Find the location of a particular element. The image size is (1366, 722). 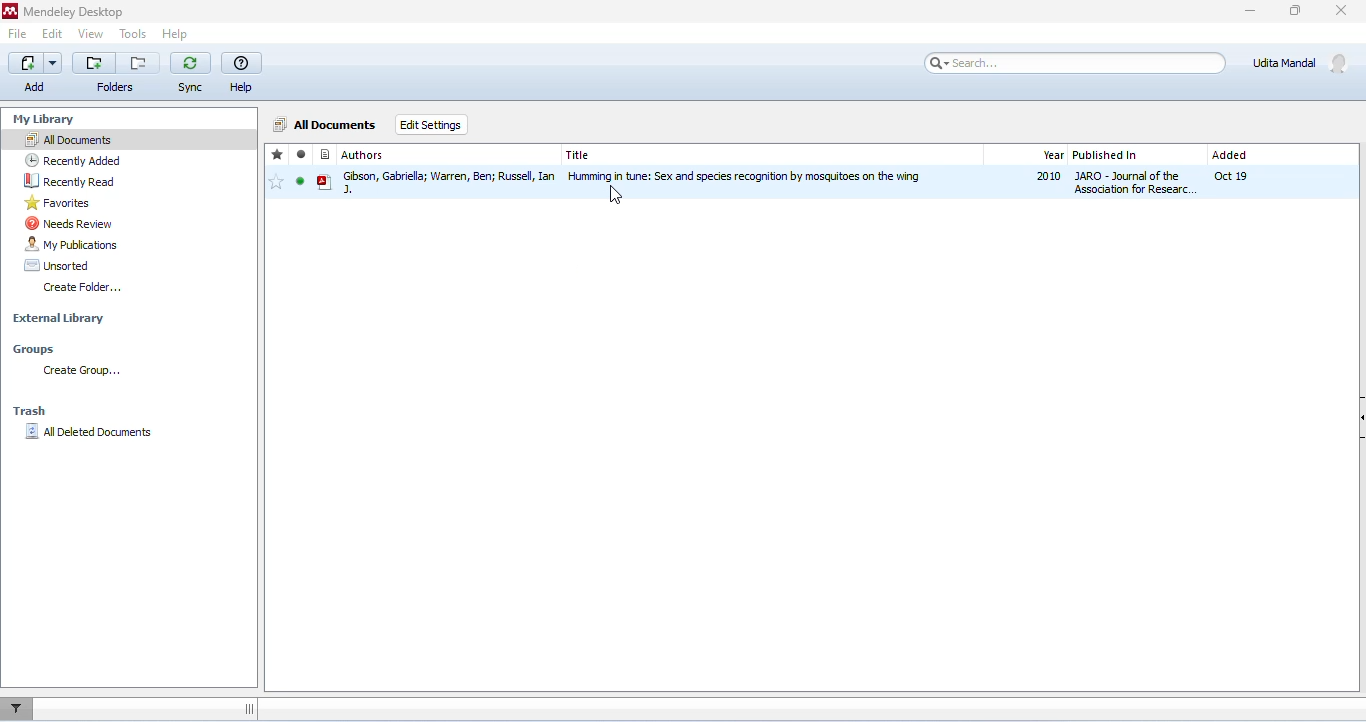

folders is located at coordinates (114, 74).